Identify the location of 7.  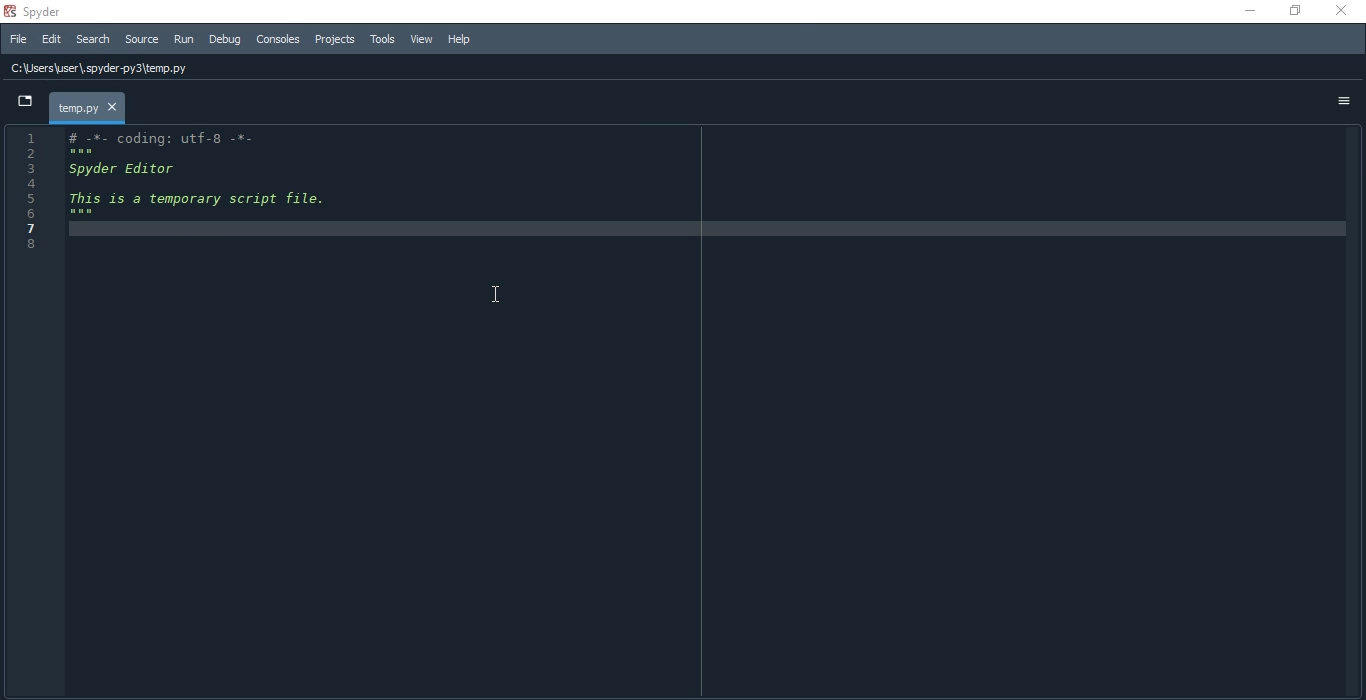
(37, 227).